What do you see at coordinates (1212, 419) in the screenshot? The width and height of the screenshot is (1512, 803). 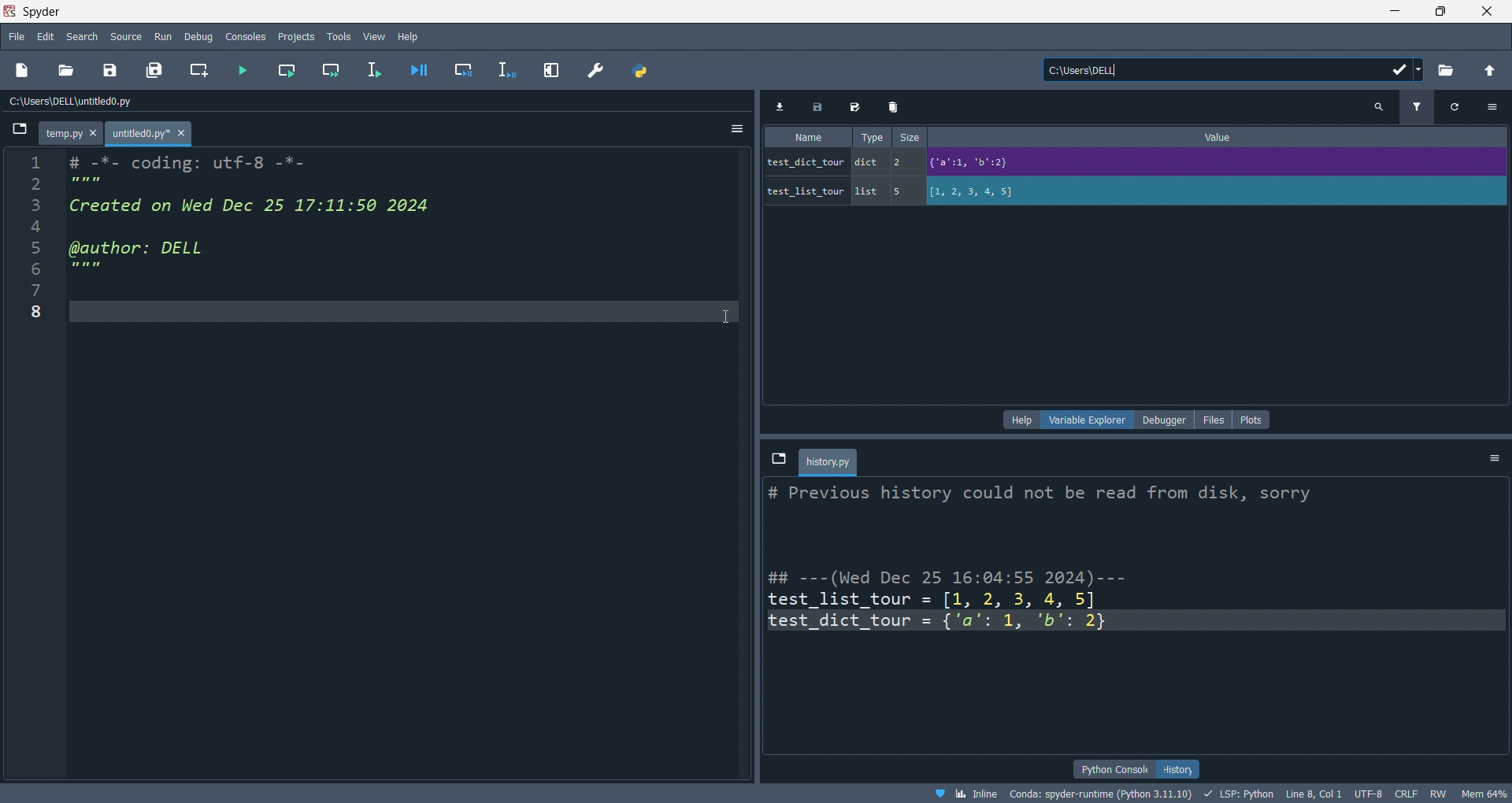 I see `files` at bounding box center [1212, 419].